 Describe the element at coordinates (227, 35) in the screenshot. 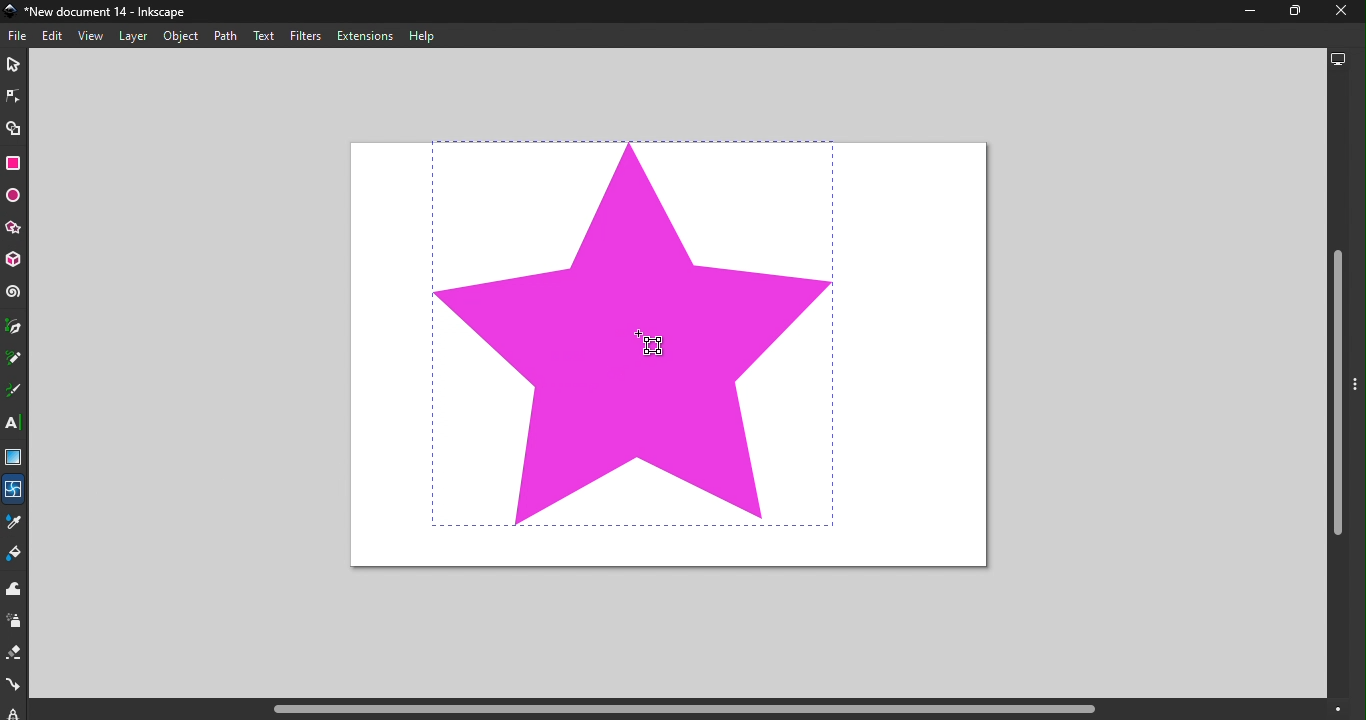

I see `Path` at that location.